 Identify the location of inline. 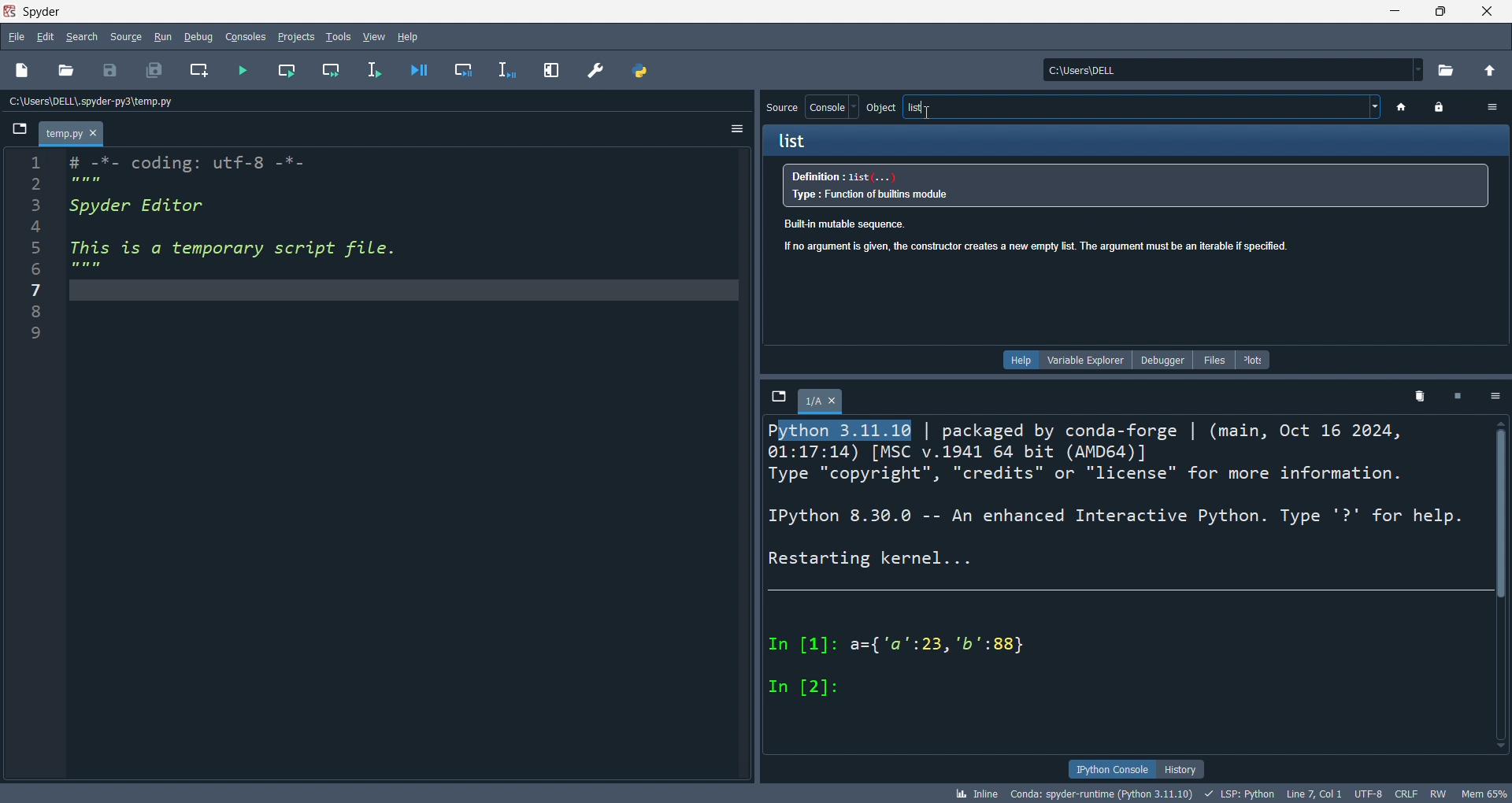
(982, 794).